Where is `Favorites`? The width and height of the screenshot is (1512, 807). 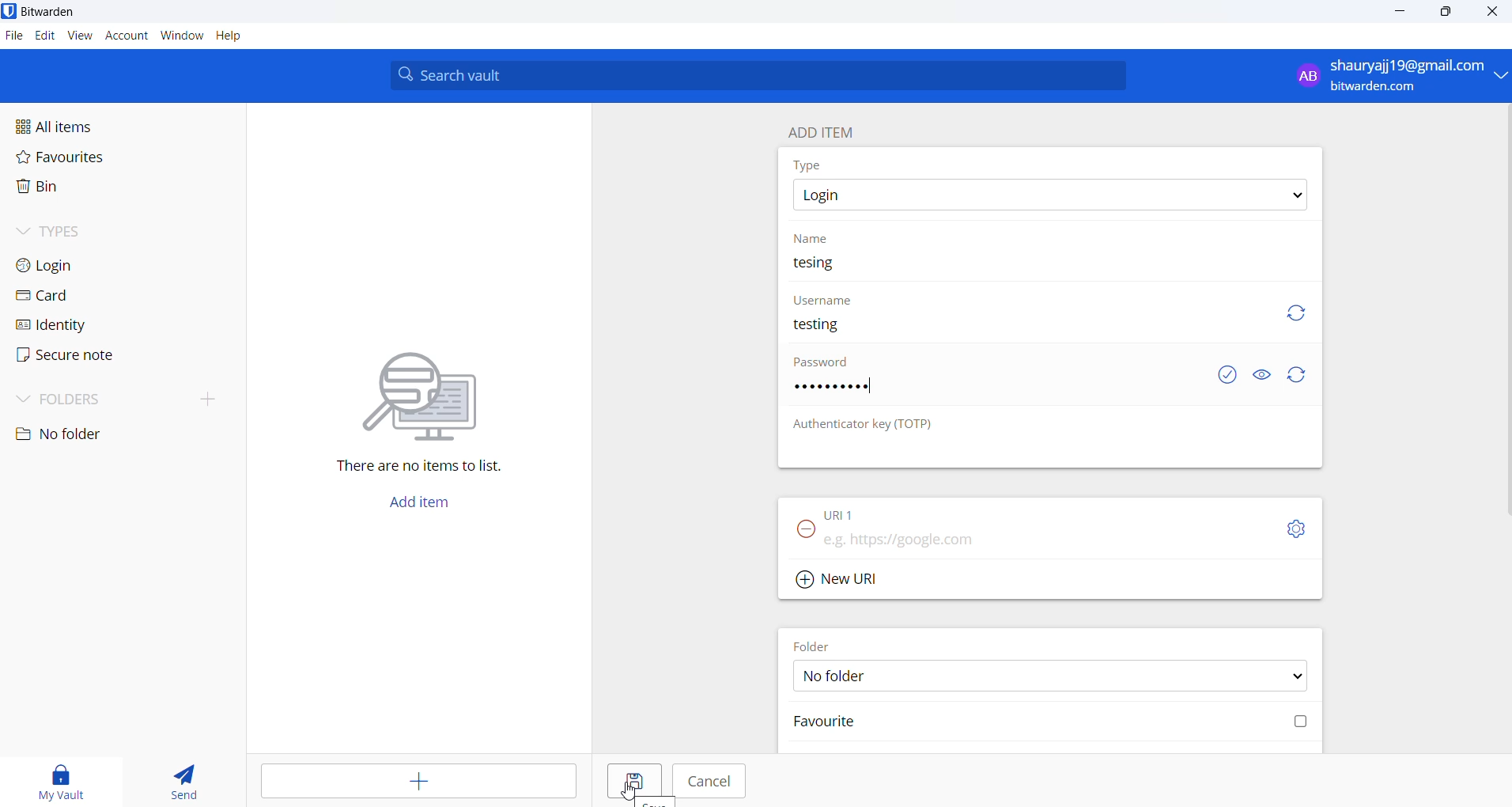 Favorites is located at coordinates (96, 161).